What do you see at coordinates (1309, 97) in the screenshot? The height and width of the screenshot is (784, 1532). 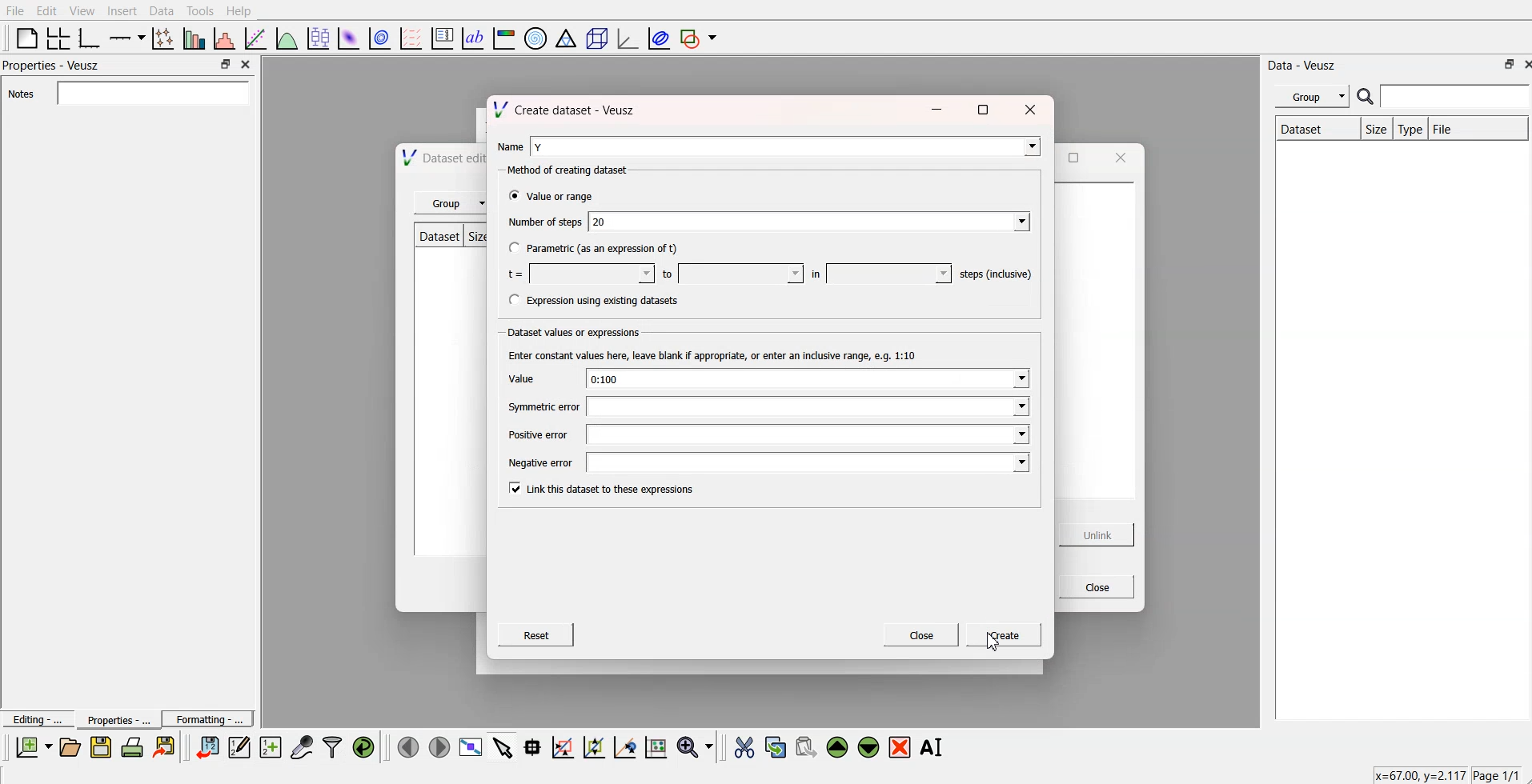 I see `Group` at bounding box center [1309, 97].